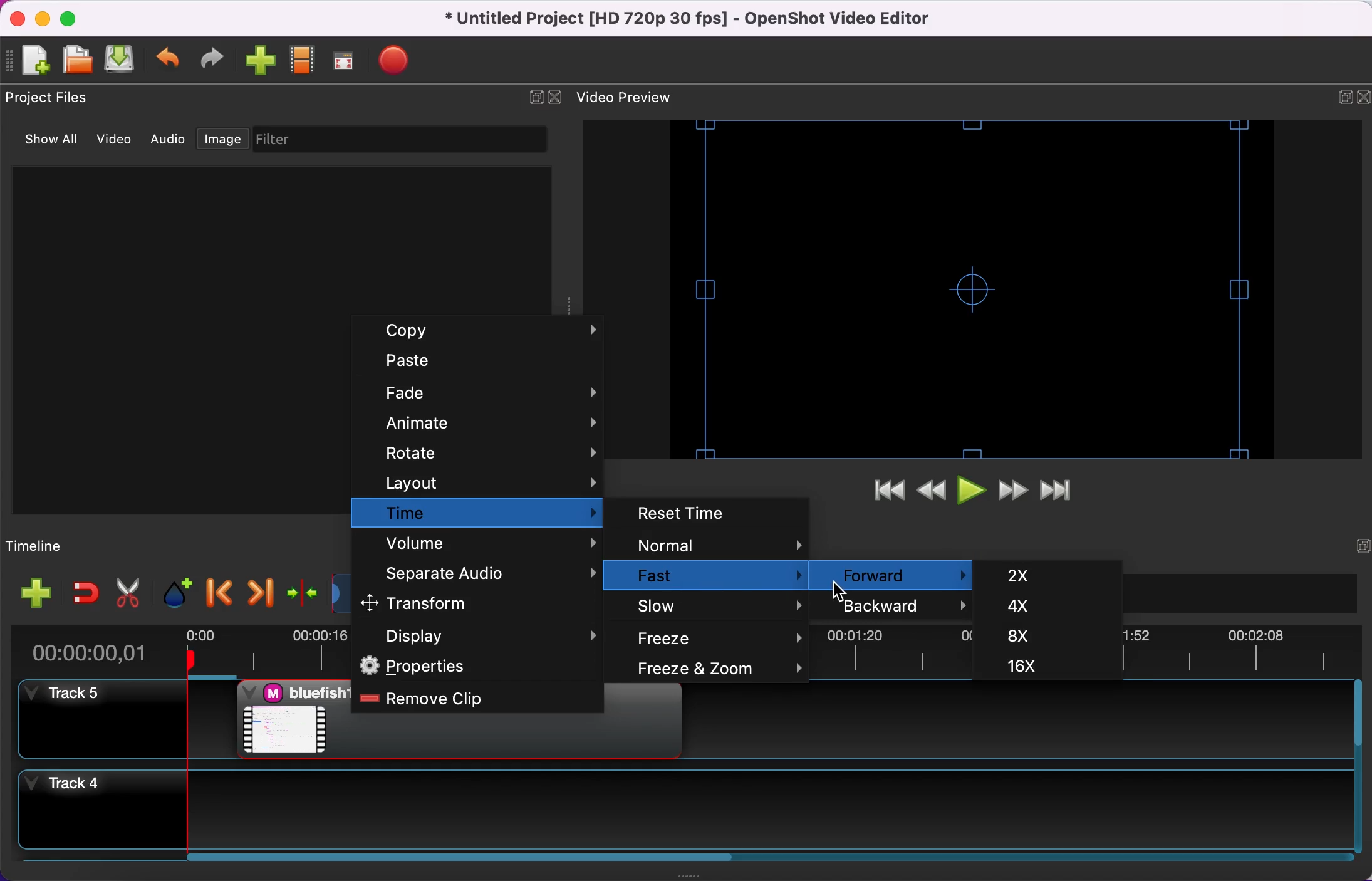 This screenshot has height=881, width=1372. Describe the element at coordinates (480, 637) in the screenshot. I see `display` at that location.